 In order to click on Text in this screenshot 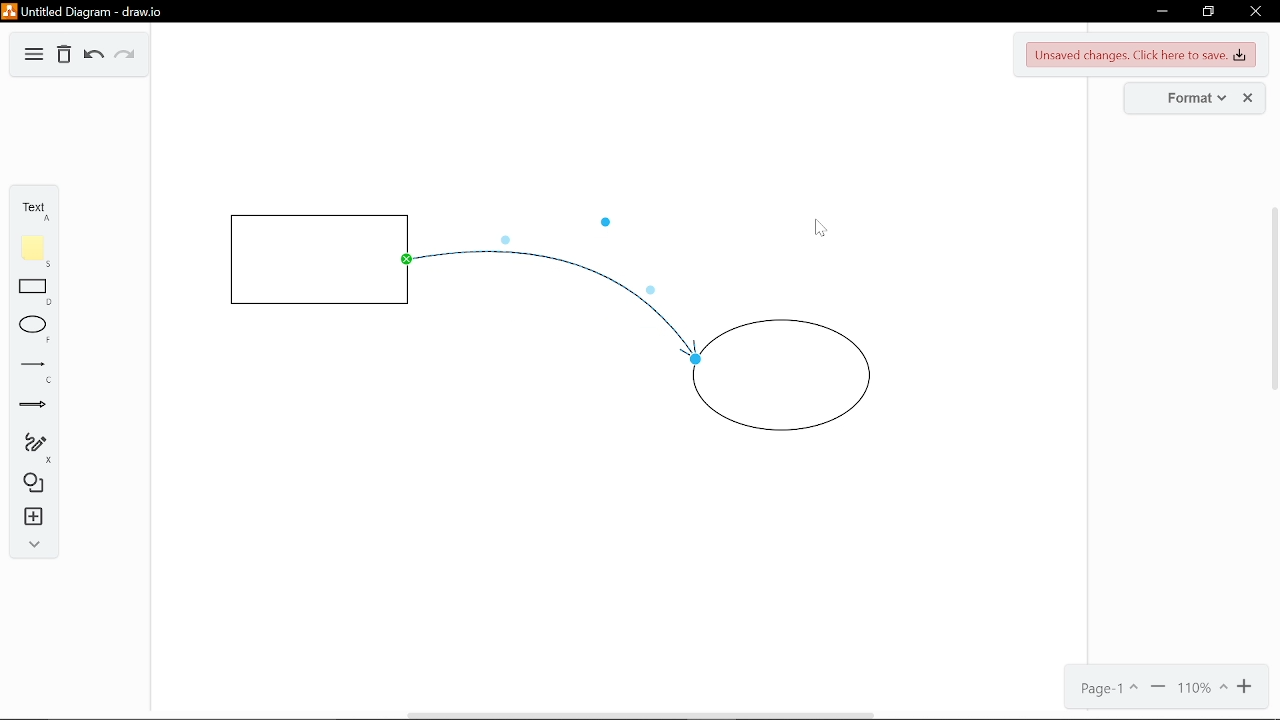, I will do `click(32, 208)`.